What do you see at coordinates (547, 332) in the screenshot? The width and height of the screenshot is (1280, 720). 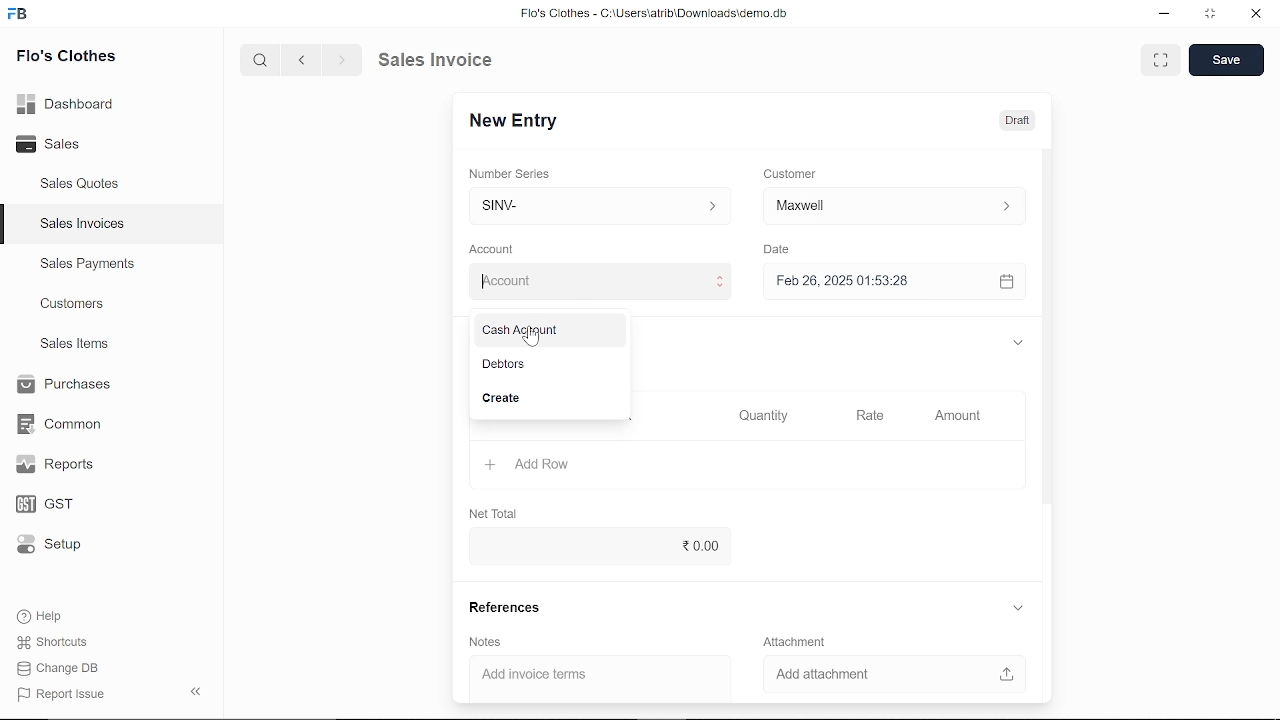 I see `Cash Agfiqunt` at bounding box center [547, 332].